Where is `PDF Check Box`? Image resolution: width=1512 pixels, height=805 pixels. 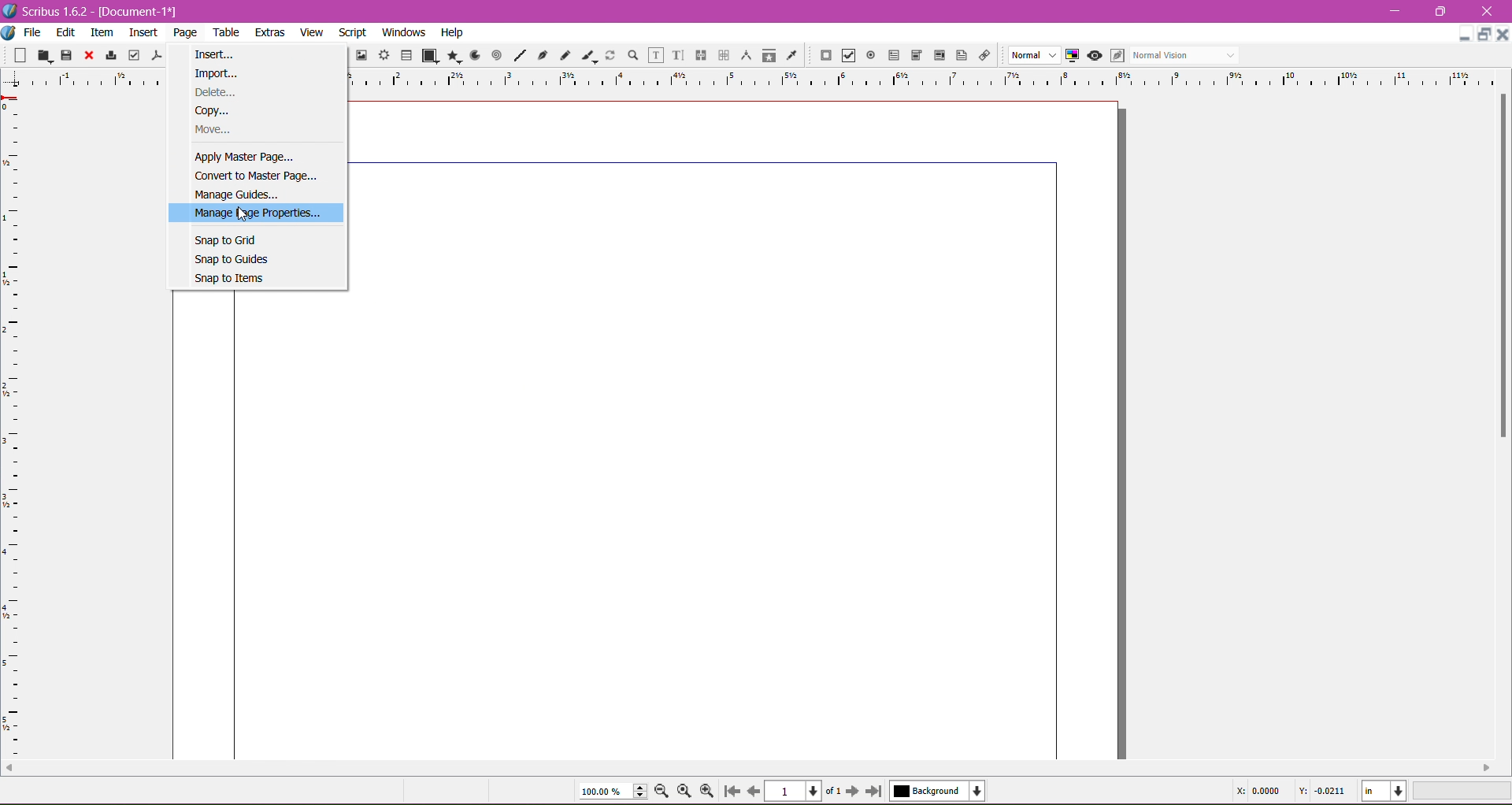 PDF Check Box is located at coordinates (849, 56).